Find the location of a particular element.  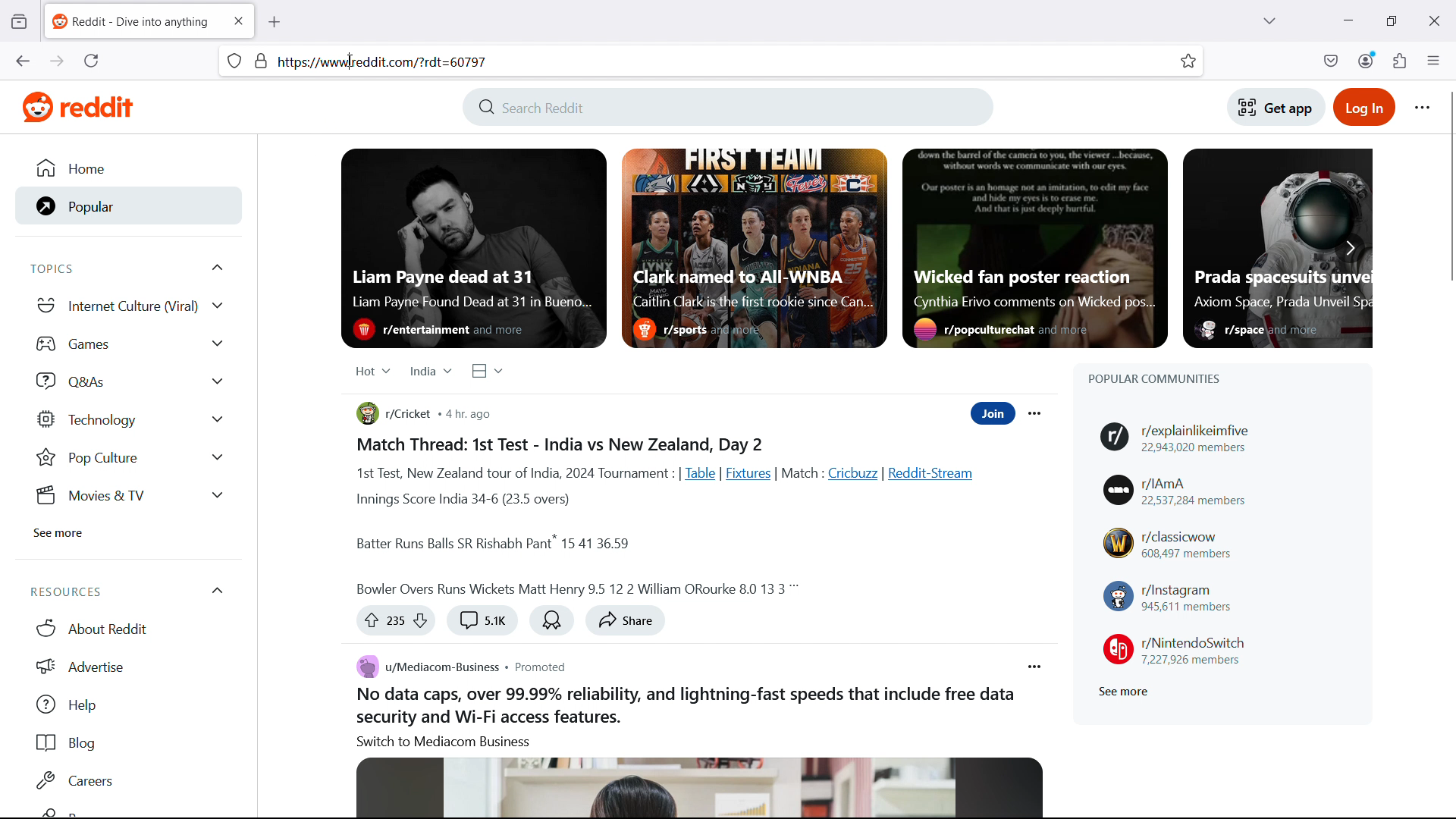

See more is located at coordinates (1122, 692).